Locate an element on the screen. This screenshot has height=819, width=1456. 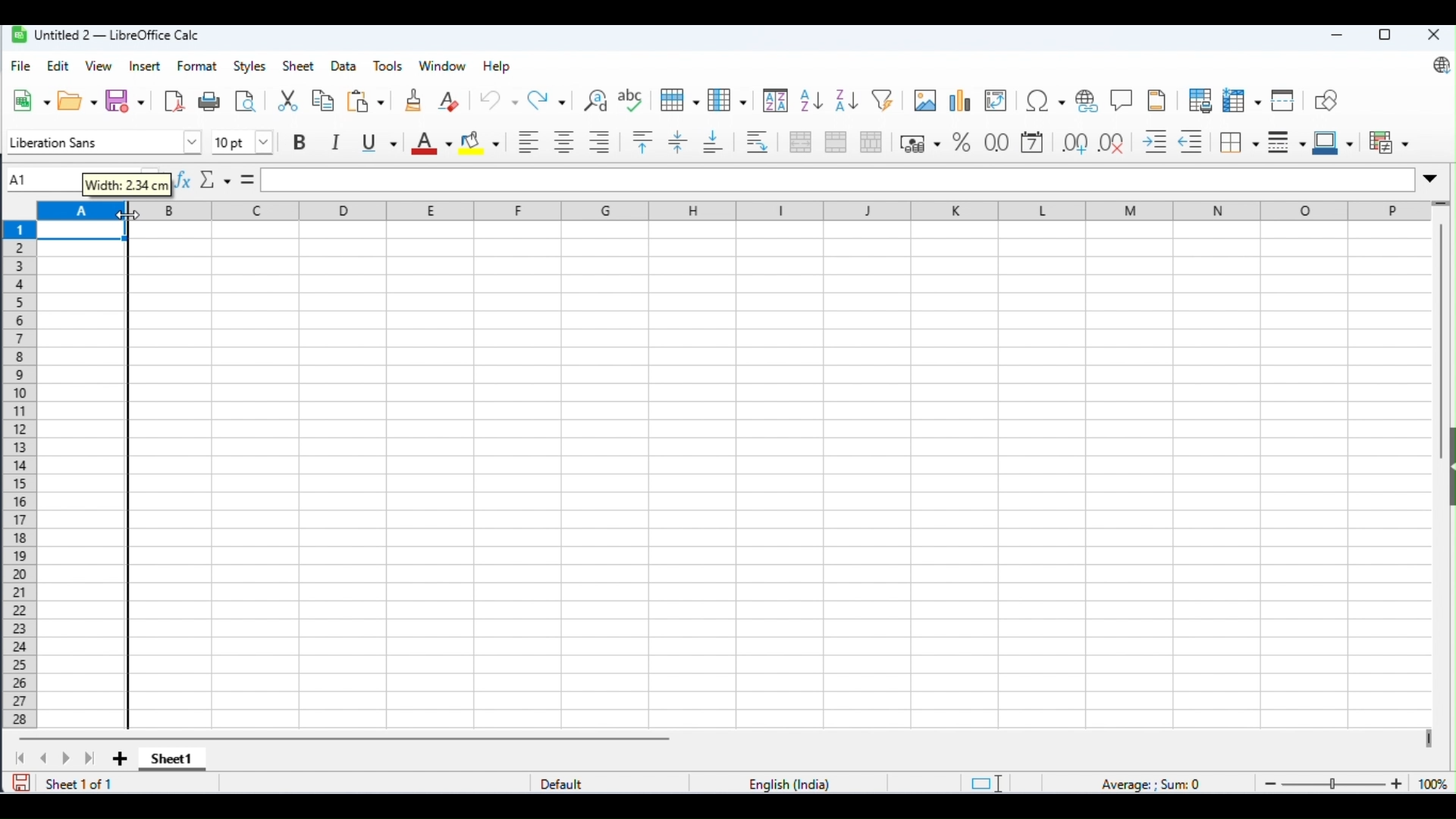
toggle print preview is located at coordinates (246, 101).